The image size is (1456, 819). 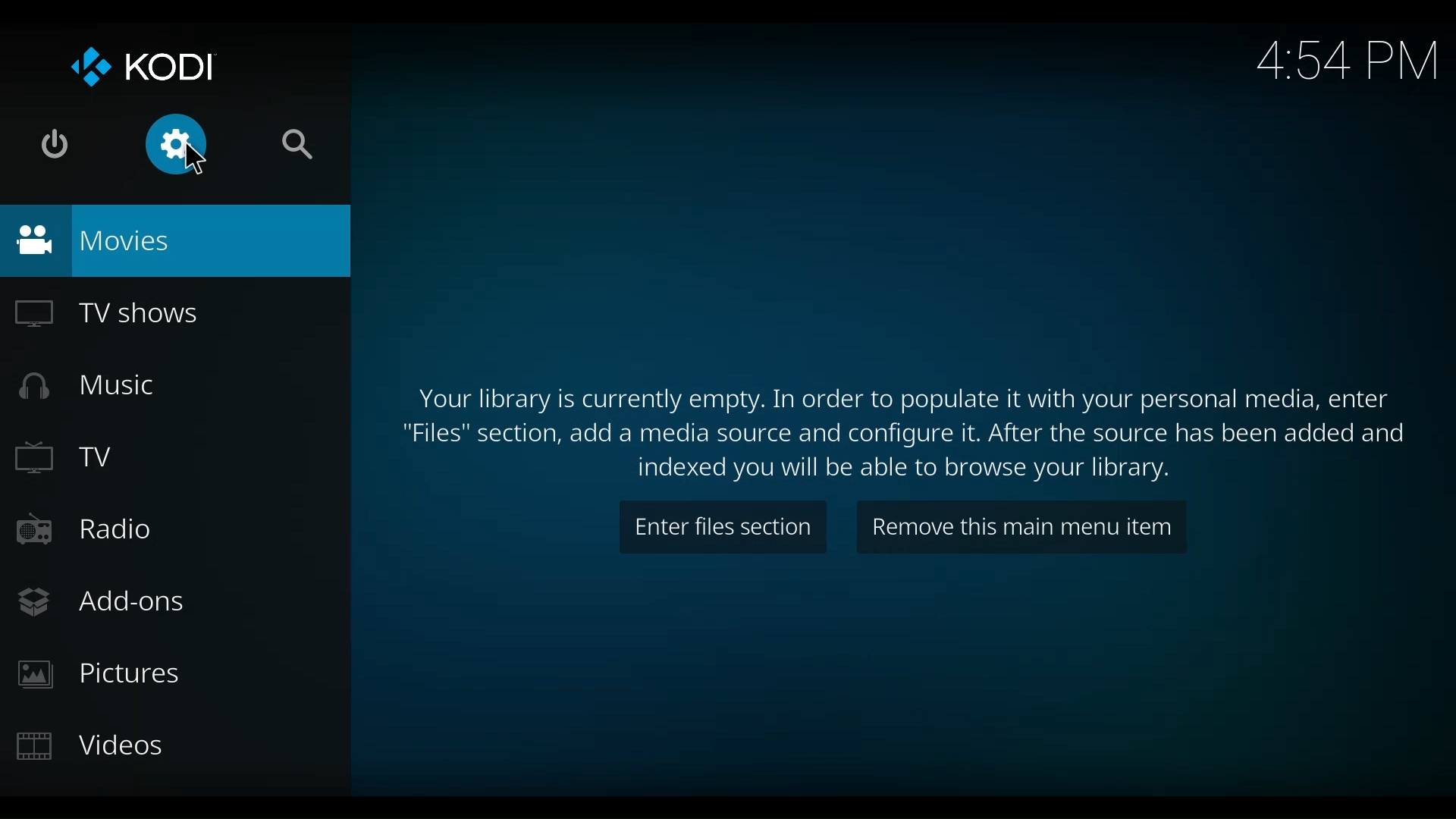 I want to click on Remove this main menu item, so click(x=1025, y=525).